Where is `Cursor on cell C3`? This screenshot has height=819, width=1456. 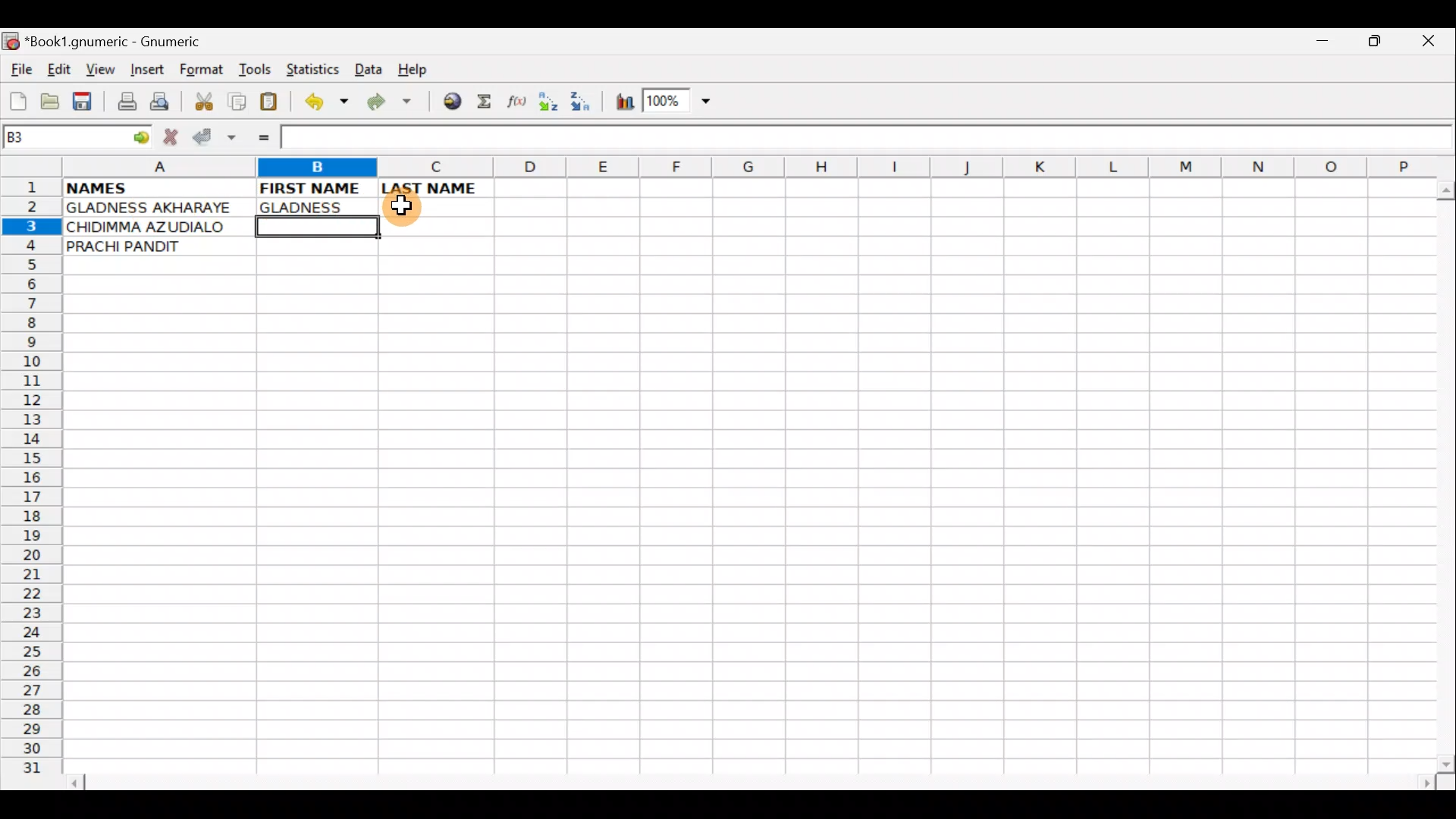
Cursor on cell C3 is located at coordinates (409, 210).